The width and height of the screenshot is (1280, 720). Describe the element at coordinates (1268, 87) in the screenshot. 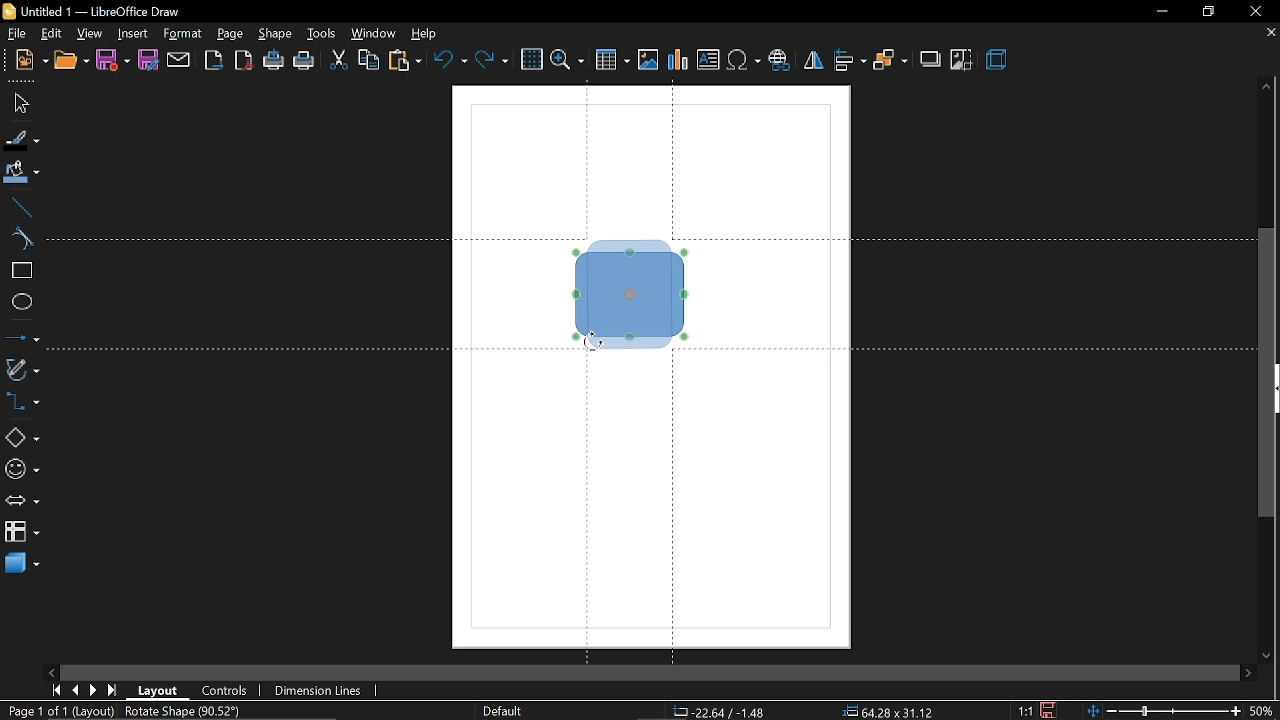

I see `move up` at that location.